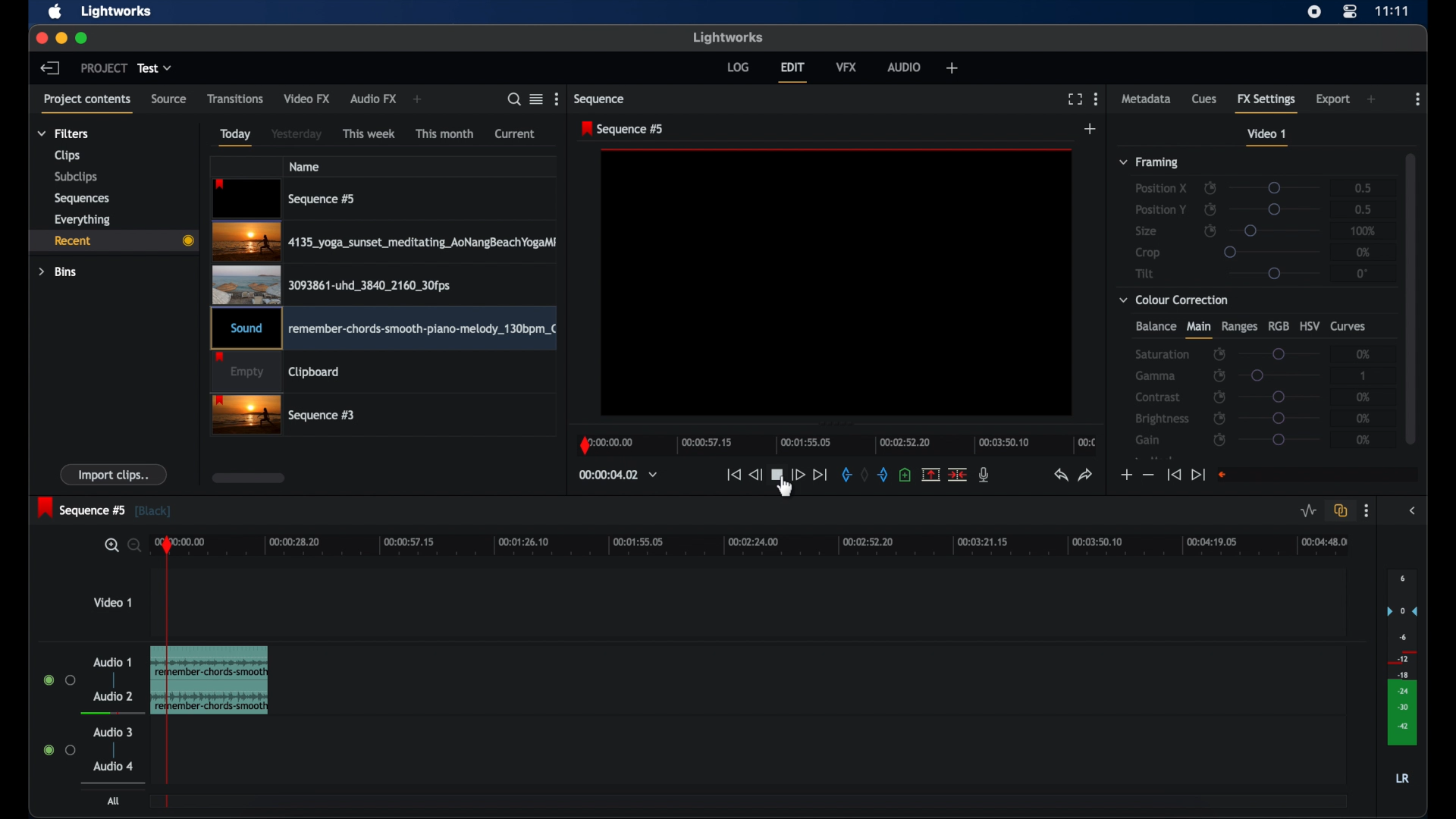  Describe the element at coordinates (1279, 418) in the screenshot. I see `slider` at that location.